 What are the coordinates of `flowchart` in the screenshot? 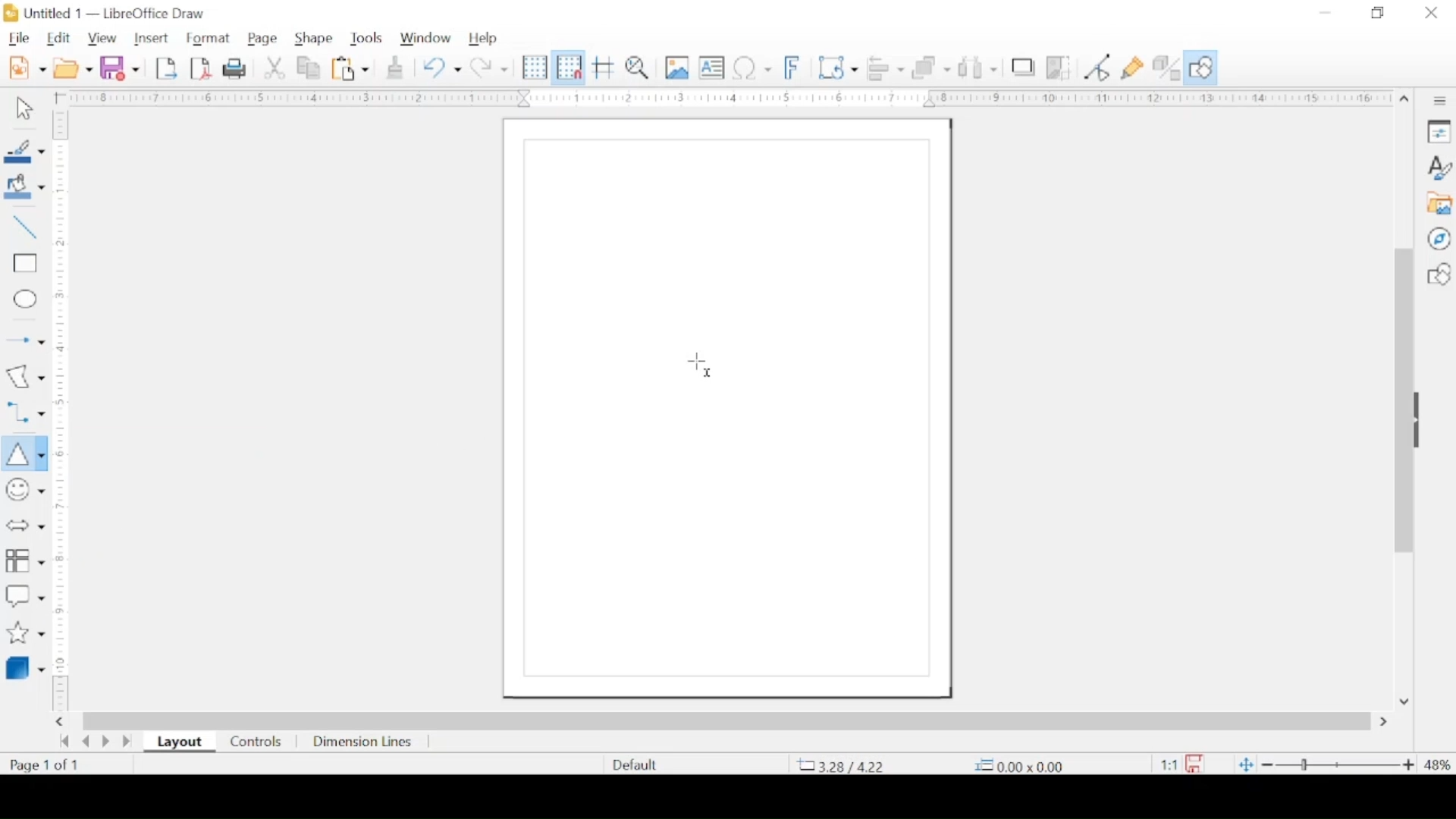 It's located at (25, 559).